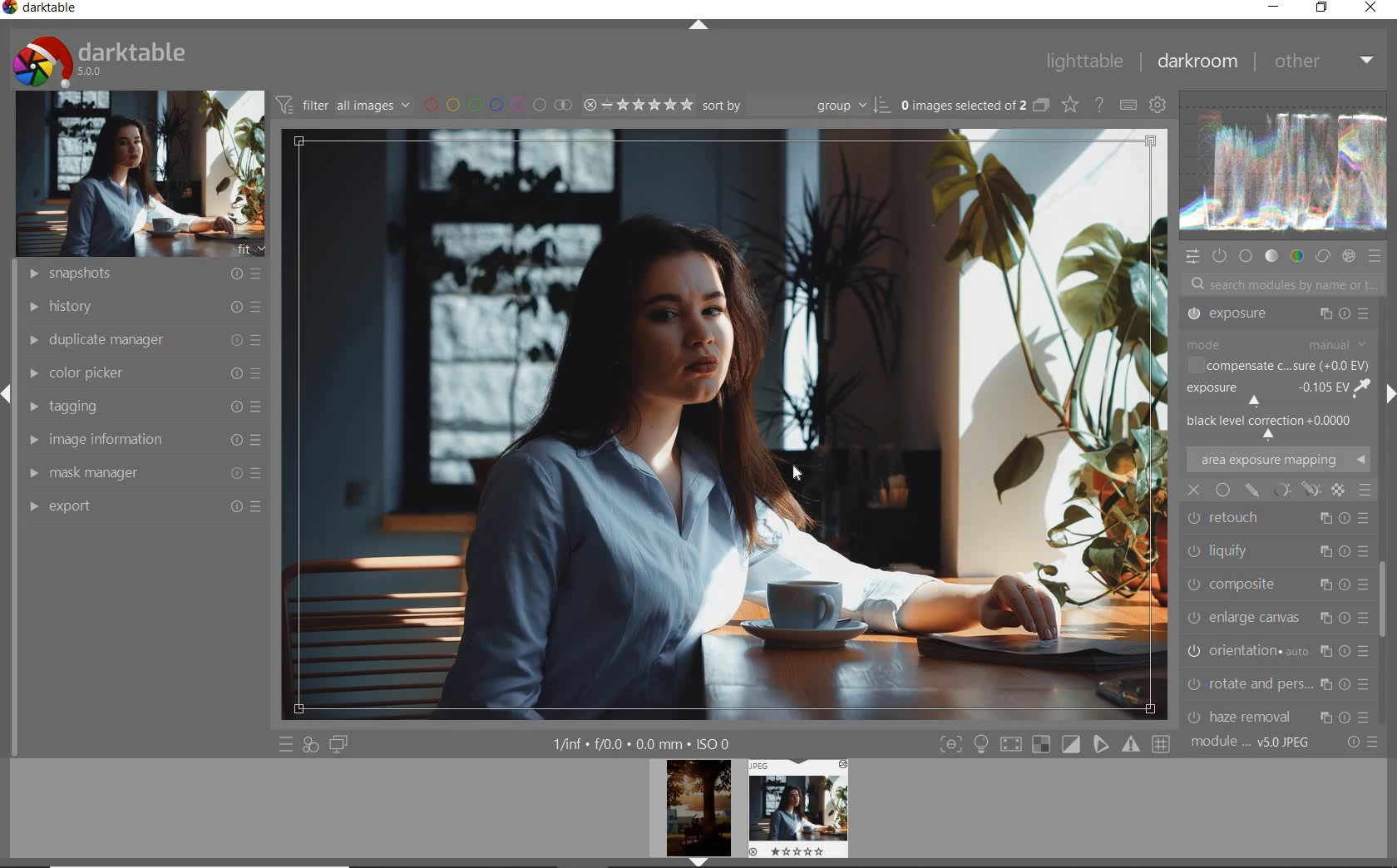 This screenshot has height=868, width=1397. Describe the element at coordinates (141, 440) in the screenshot. I see `IMAGE INFORMATION` at that location.